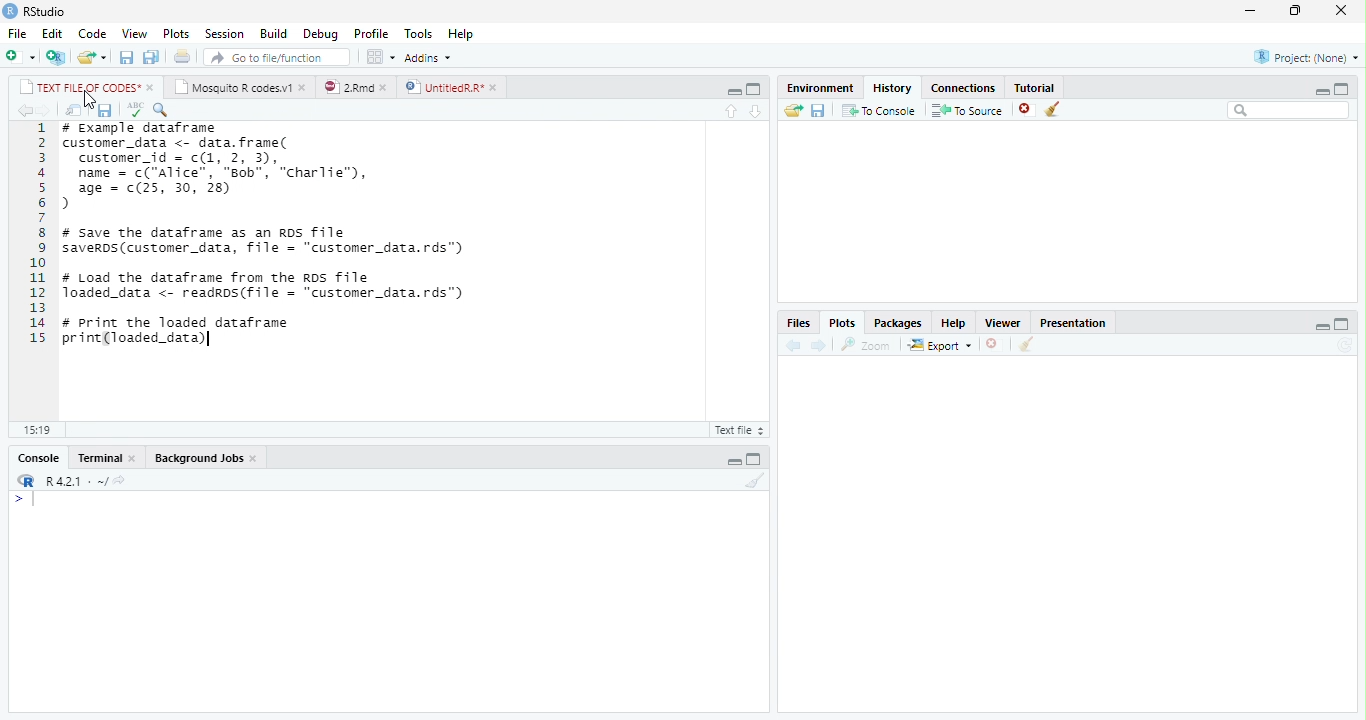 This screenshot has width=1366, height=720. What do you see at coordinates (90, 100) in the screenshot?
I see `cursor` at bounding box center [90, 100].